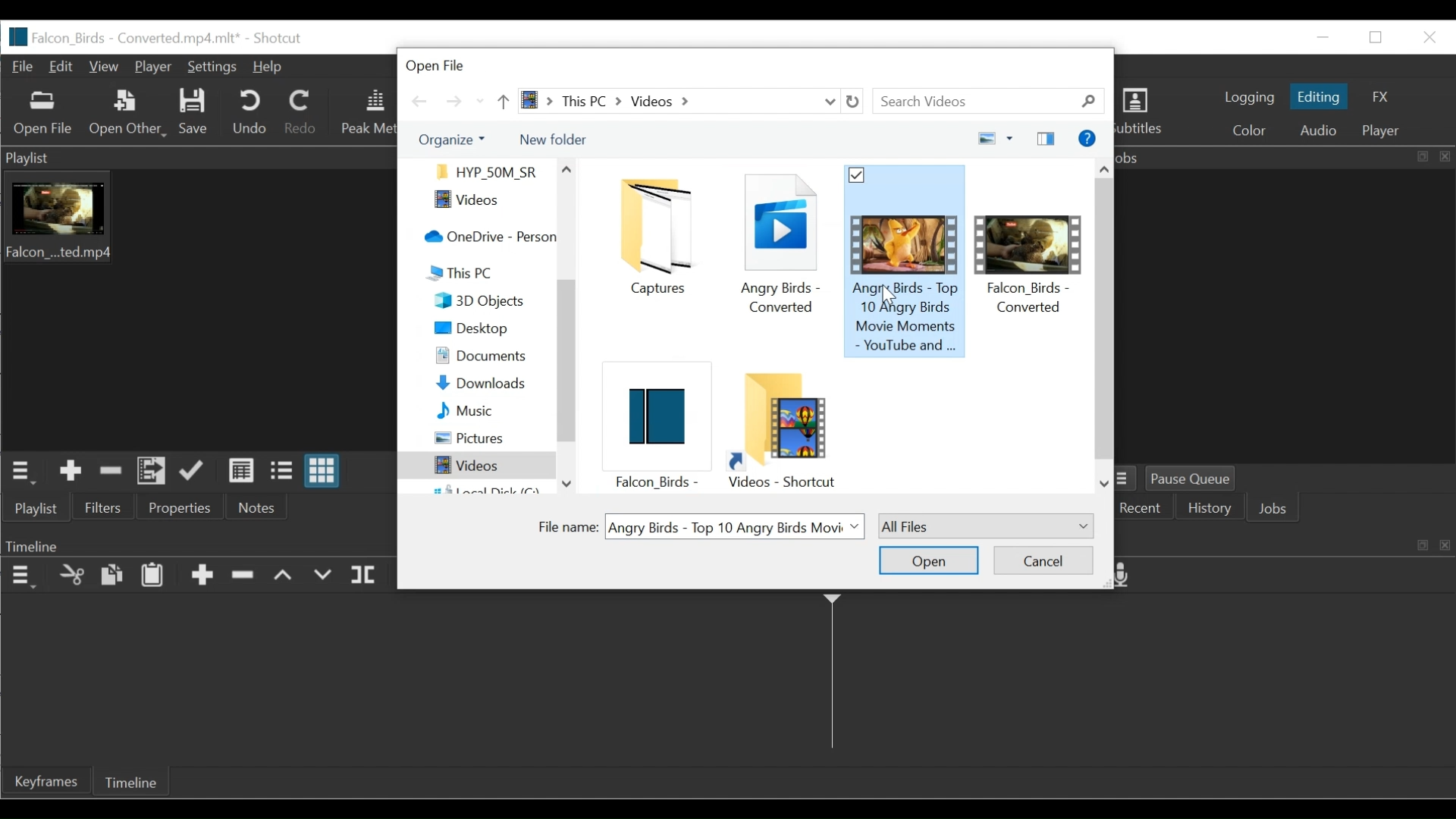 The width and height of the screenshot is (1456, 819). What do you see at coordinates (1105, 485) in the screenshot?
I see `Scroll down` at bounding box center [1105, 485].